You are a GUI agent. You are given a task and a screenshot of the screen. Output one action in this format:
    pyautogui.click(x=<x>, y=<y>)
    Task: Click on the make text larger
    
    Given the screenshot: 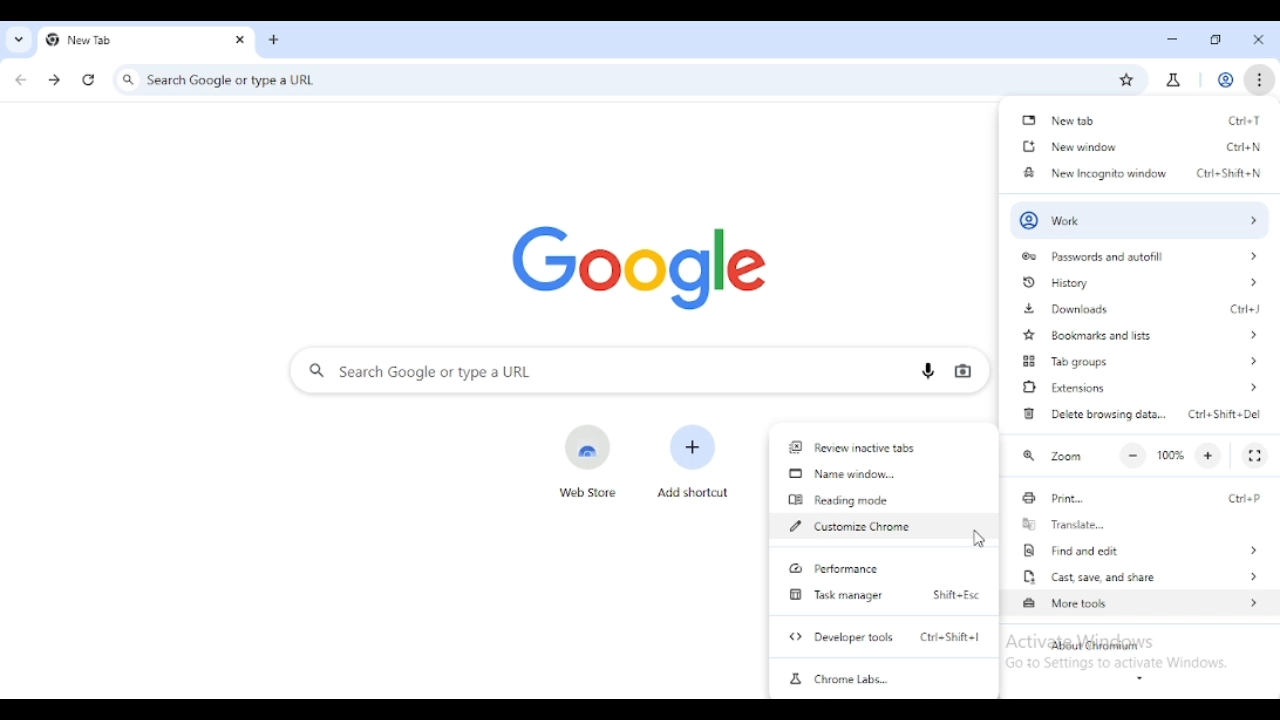 What is the action you would take?
    pyautogui.click(x=1210, y=457)
    